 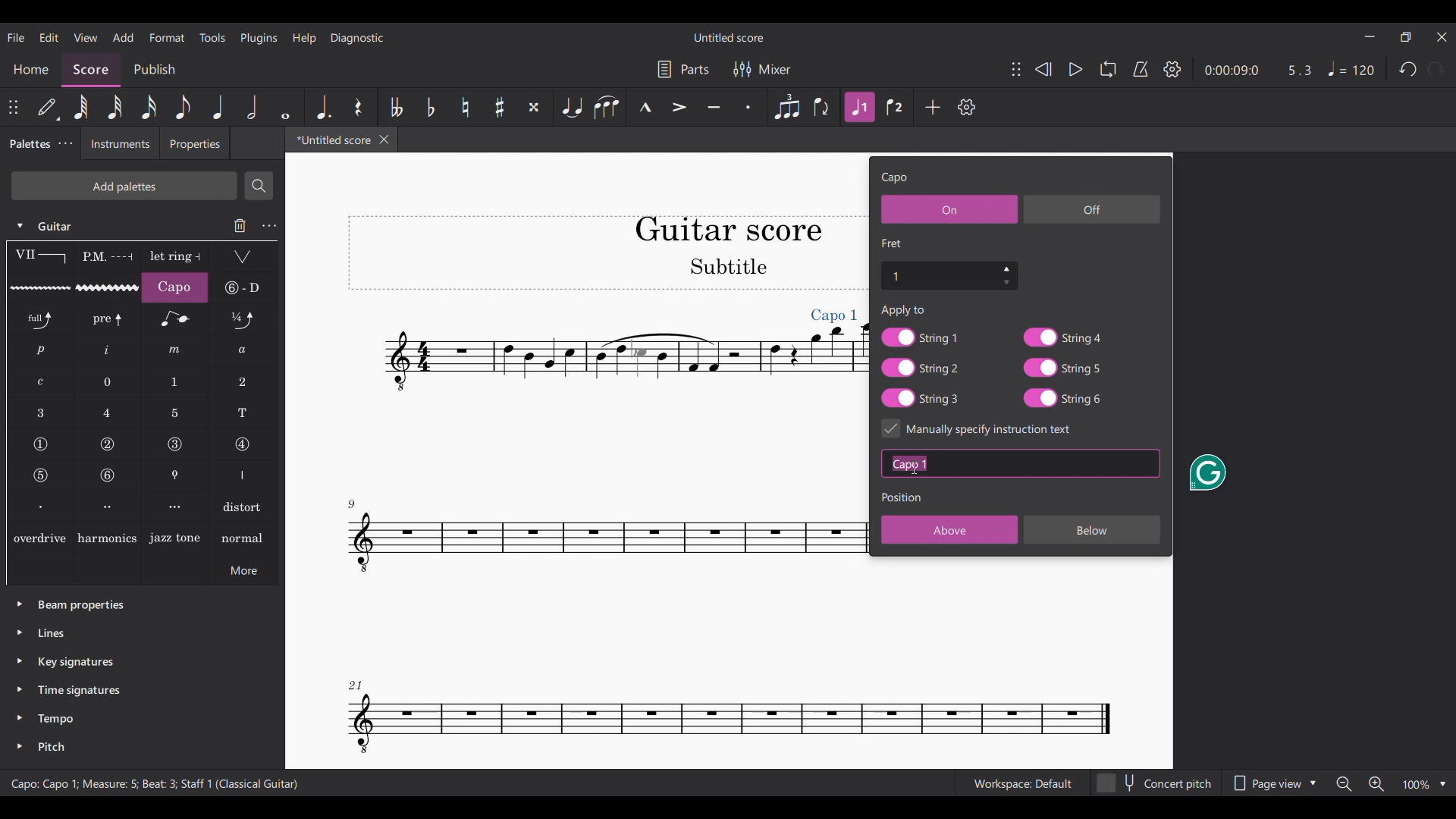 What do you see at coordinates (683, 69) in the screenshot?
I see `Parts settings` at bounding box center [683, 69].